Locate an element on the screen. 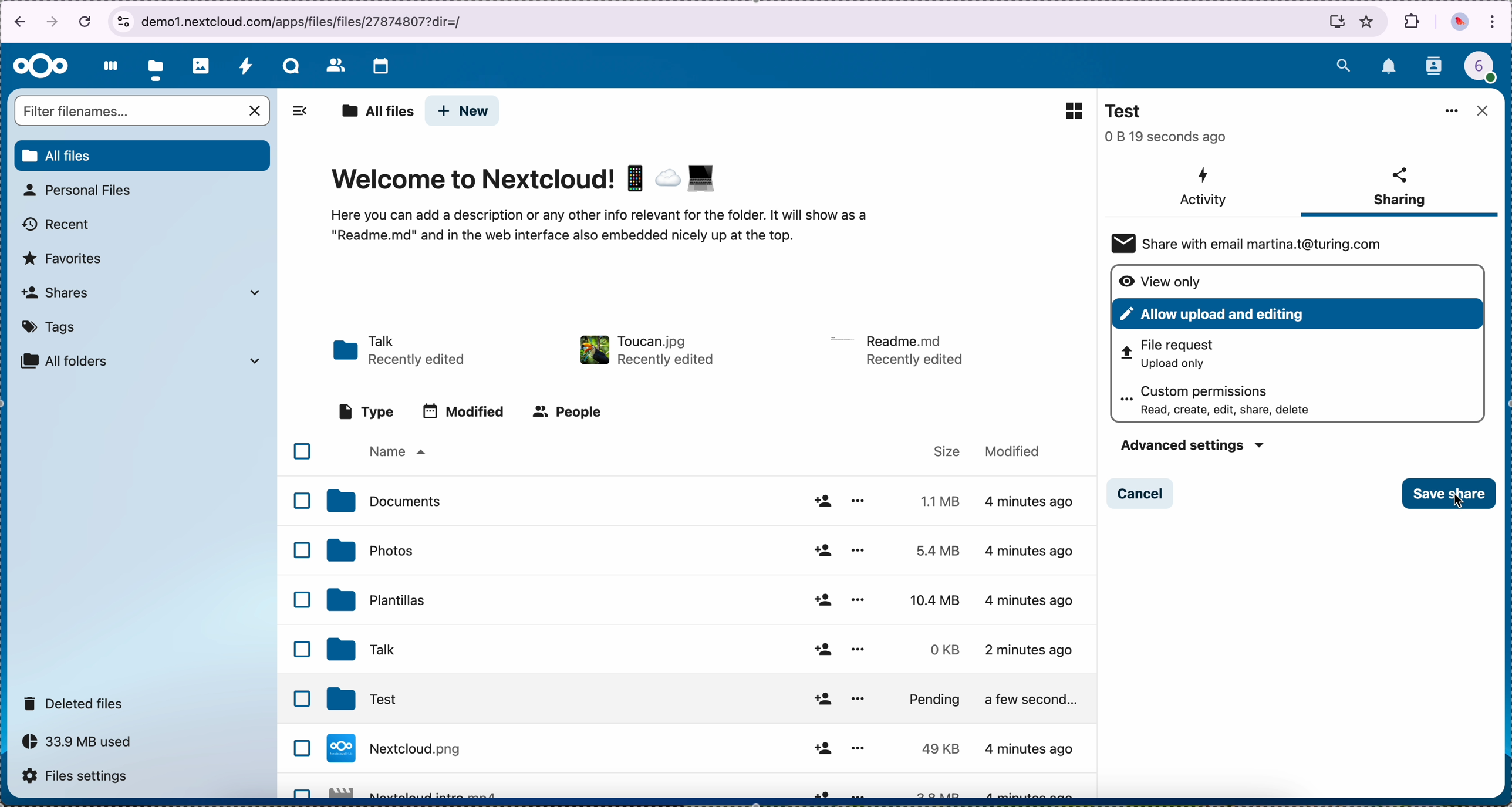  view site information is located at coordinates (123, 22).